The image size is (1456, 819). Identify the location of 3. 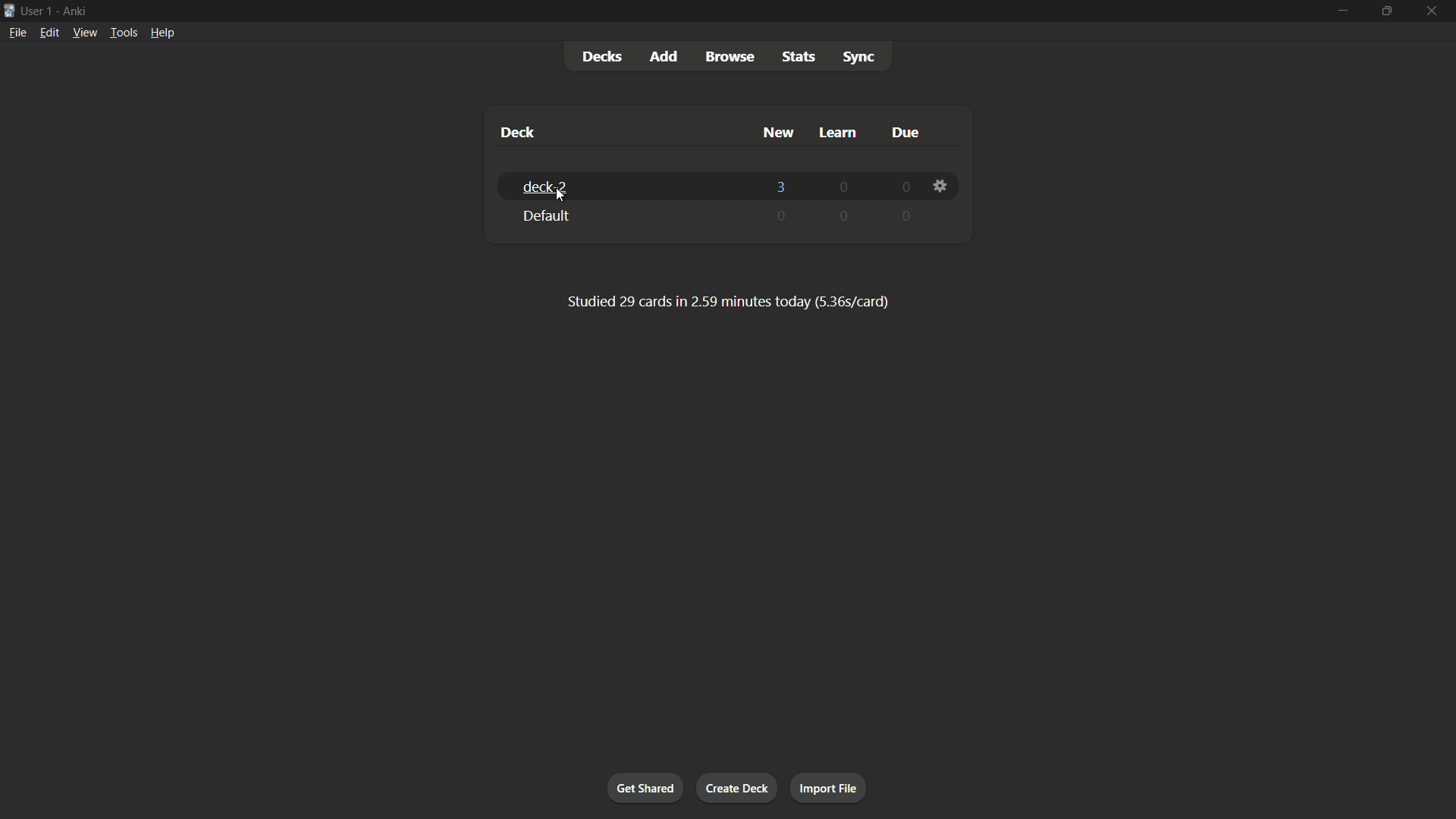
(783, 188).